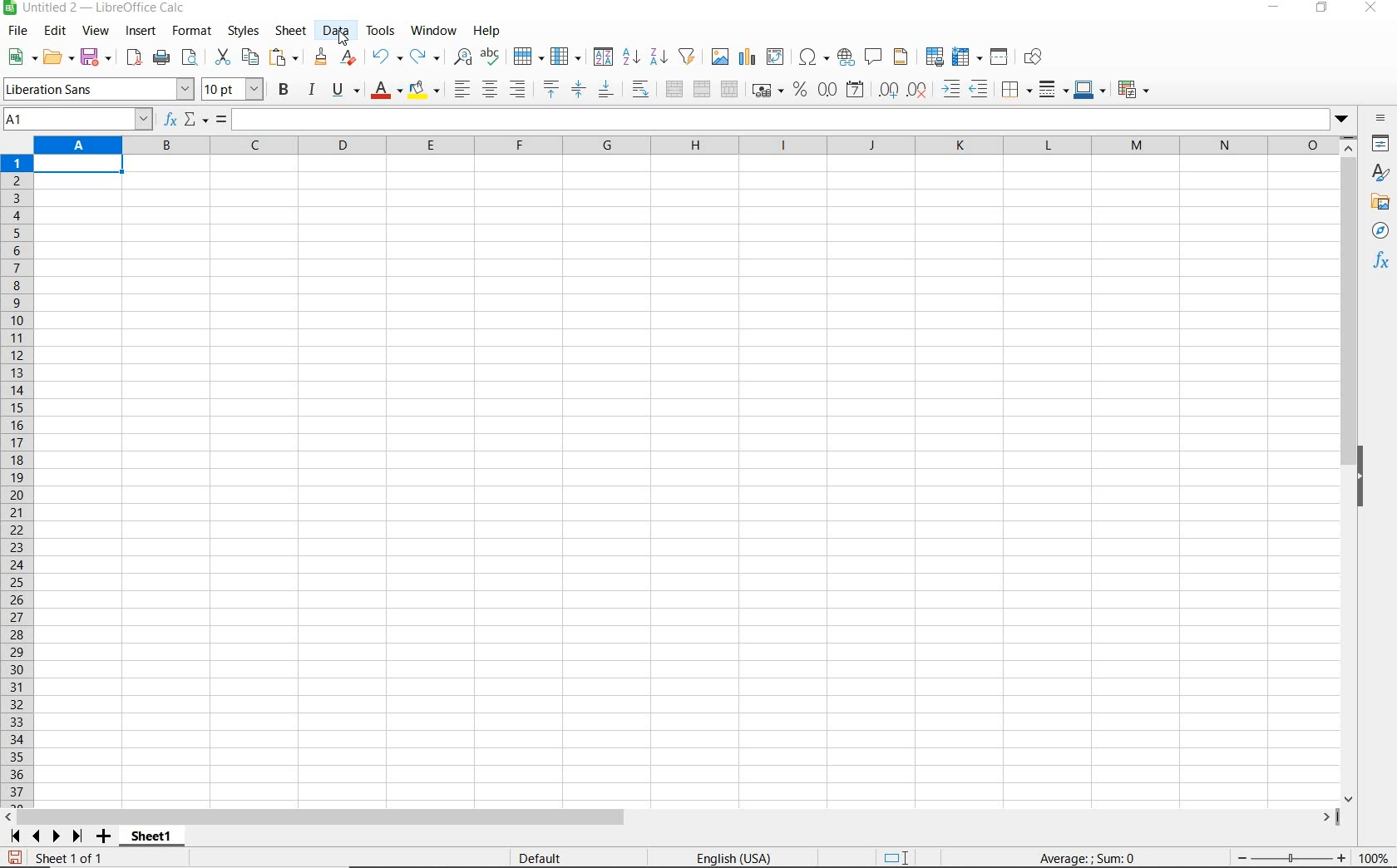 The height and width of the screenshot is (868, 1397). What do you see at coordinates (674, 90) in the screenshot?
I see `merge and center or unmerge cells` at bounding box center [674, 90].